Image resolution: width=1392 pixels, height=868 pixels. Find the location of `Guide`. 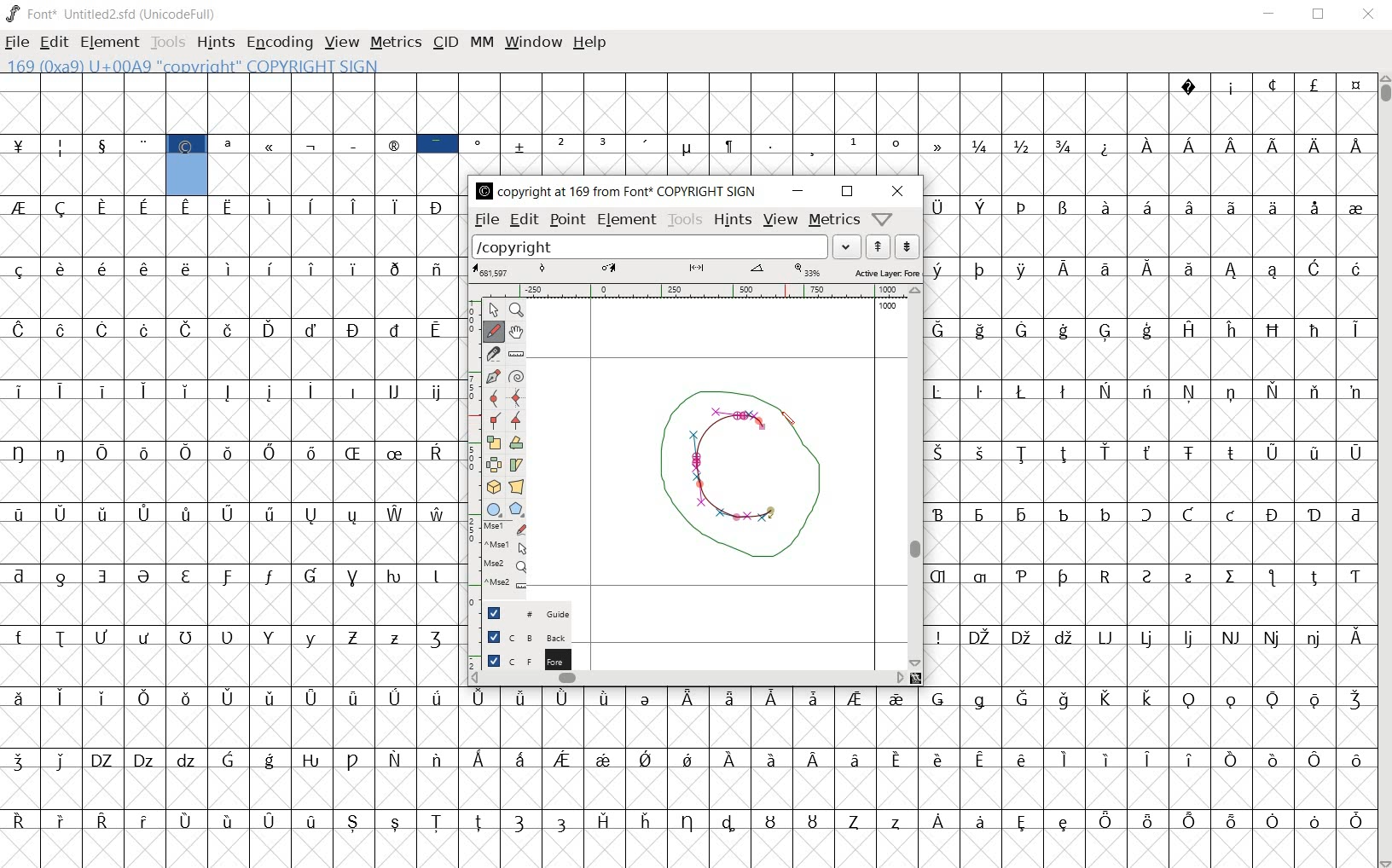

Guide is located at coordinates (521, 613).